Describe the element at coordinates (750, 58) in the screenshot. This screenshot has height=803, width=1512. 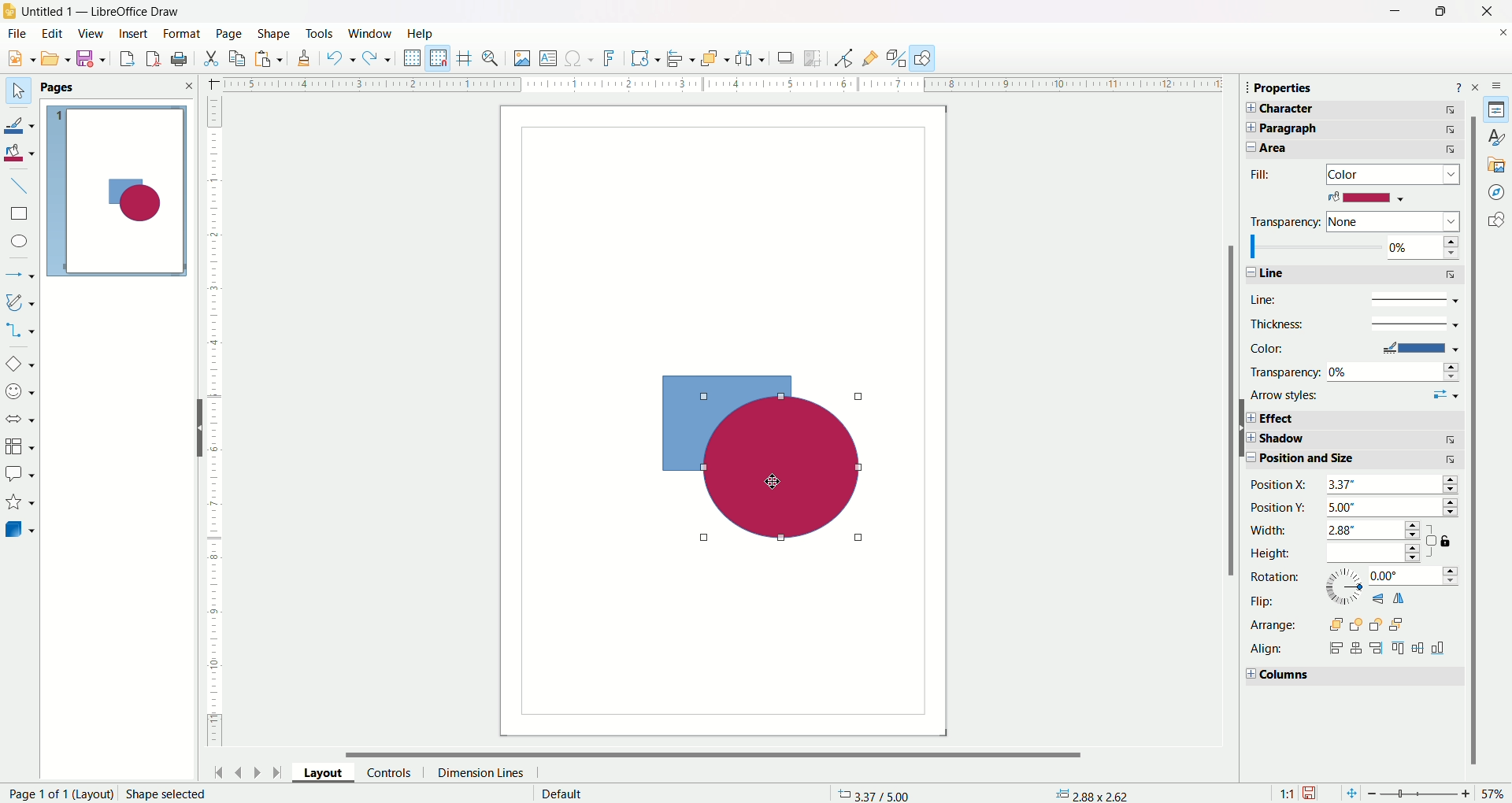
I see `select atleast three objects to distribute` at that location.